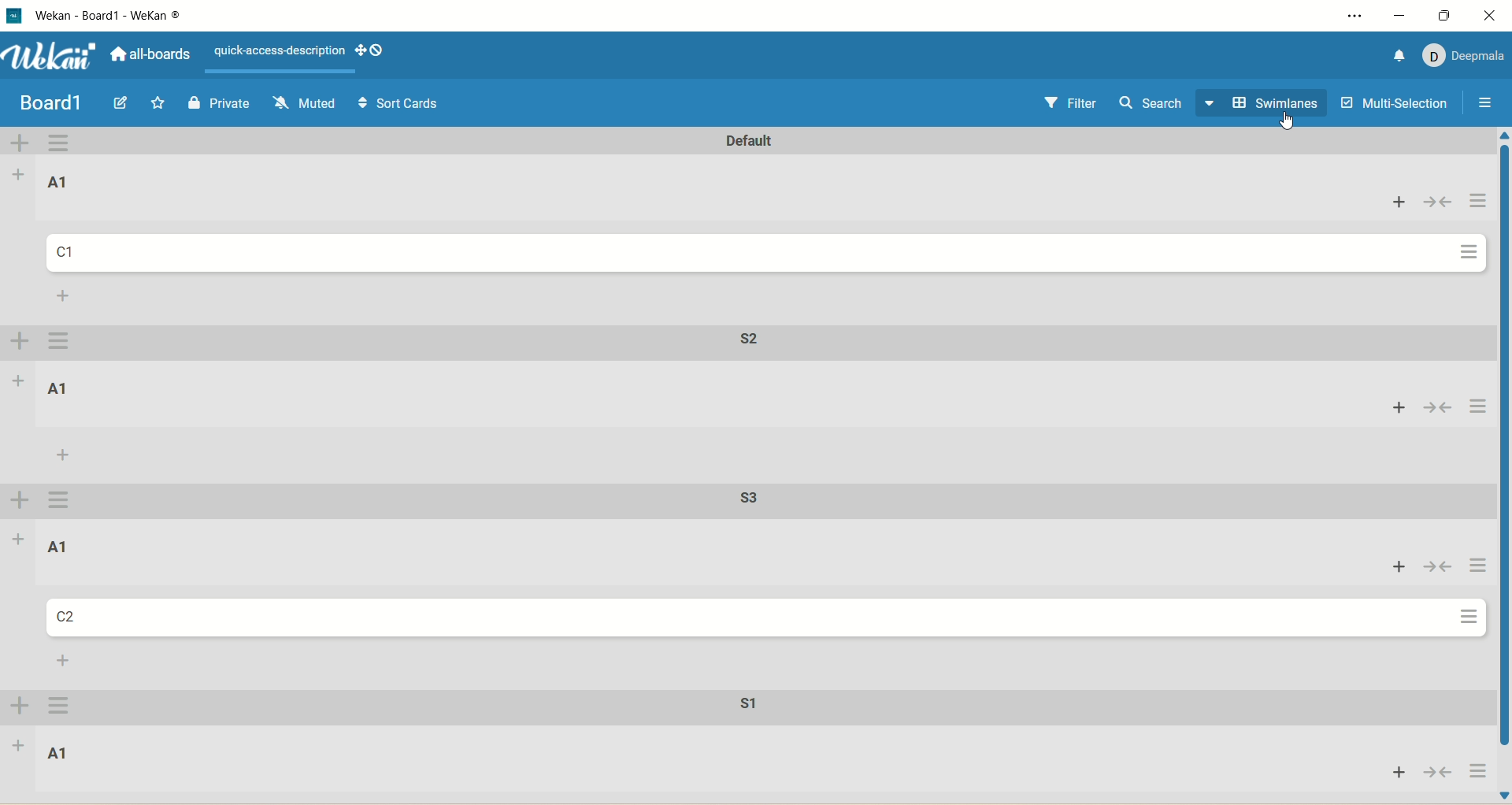 The width and height of the screenshot is (1512, 805). I want to click on swimlane title, so click(738, 710).